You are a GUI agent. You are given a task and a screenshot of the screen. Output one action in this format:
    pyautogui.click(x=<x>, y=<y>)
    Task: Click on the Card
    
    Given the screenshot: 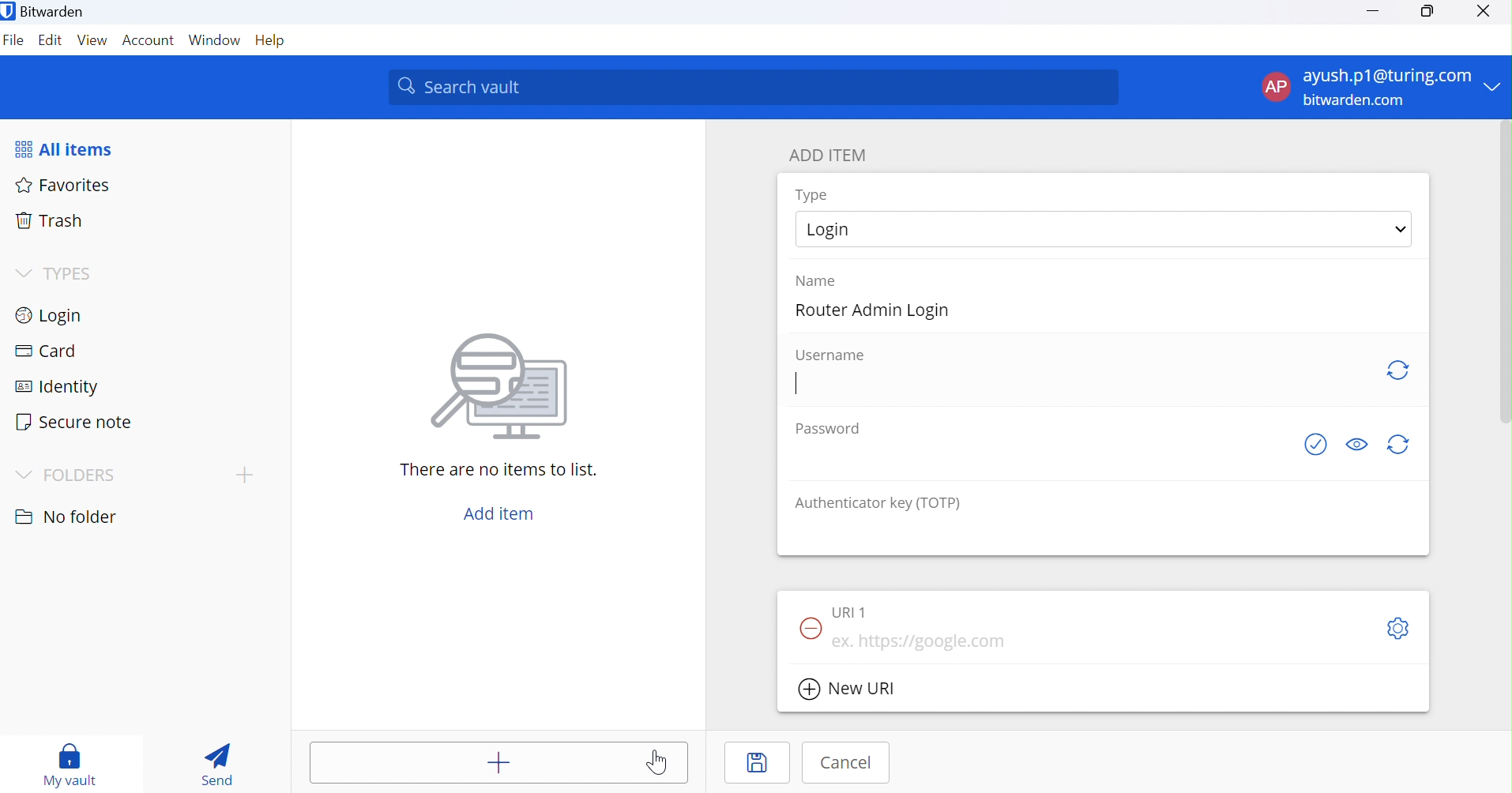 What is the action you would take?
    pyautogui.click(x=47, y=352)
    